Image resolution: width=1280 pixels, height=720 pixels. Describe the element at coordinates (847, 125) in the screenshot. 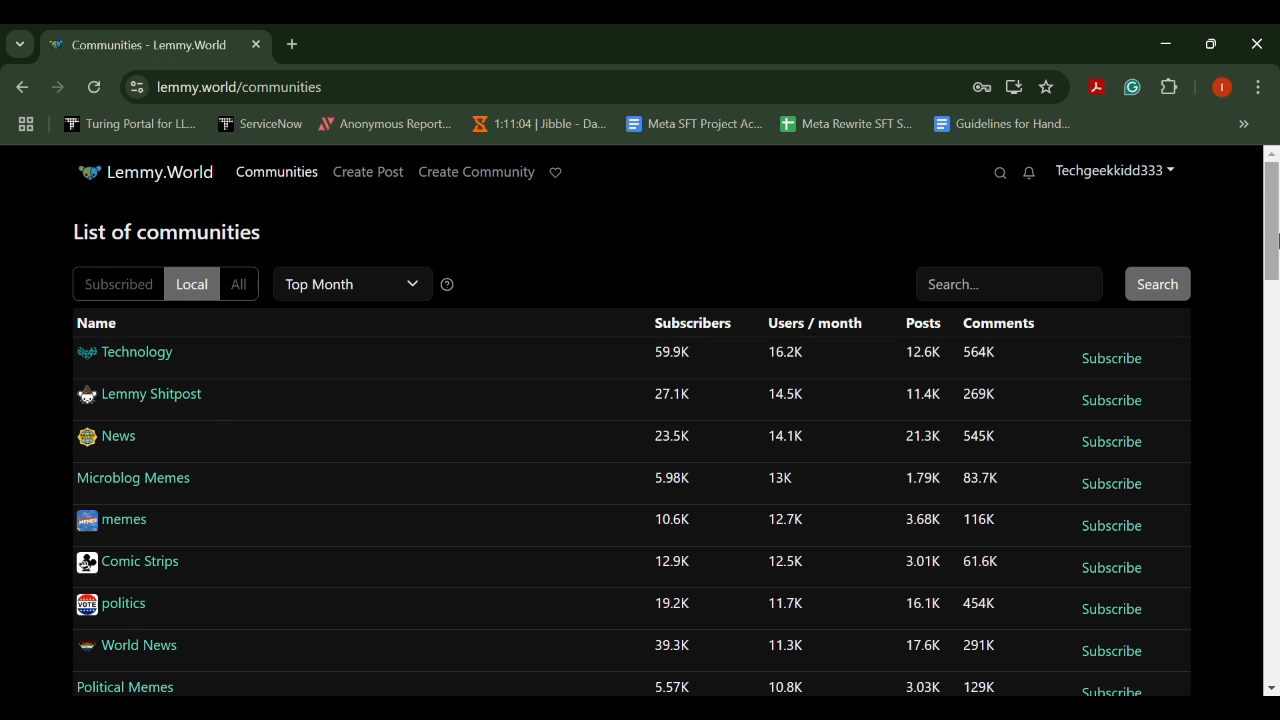

I see `Meta Rewrite SFT S...` at that location.